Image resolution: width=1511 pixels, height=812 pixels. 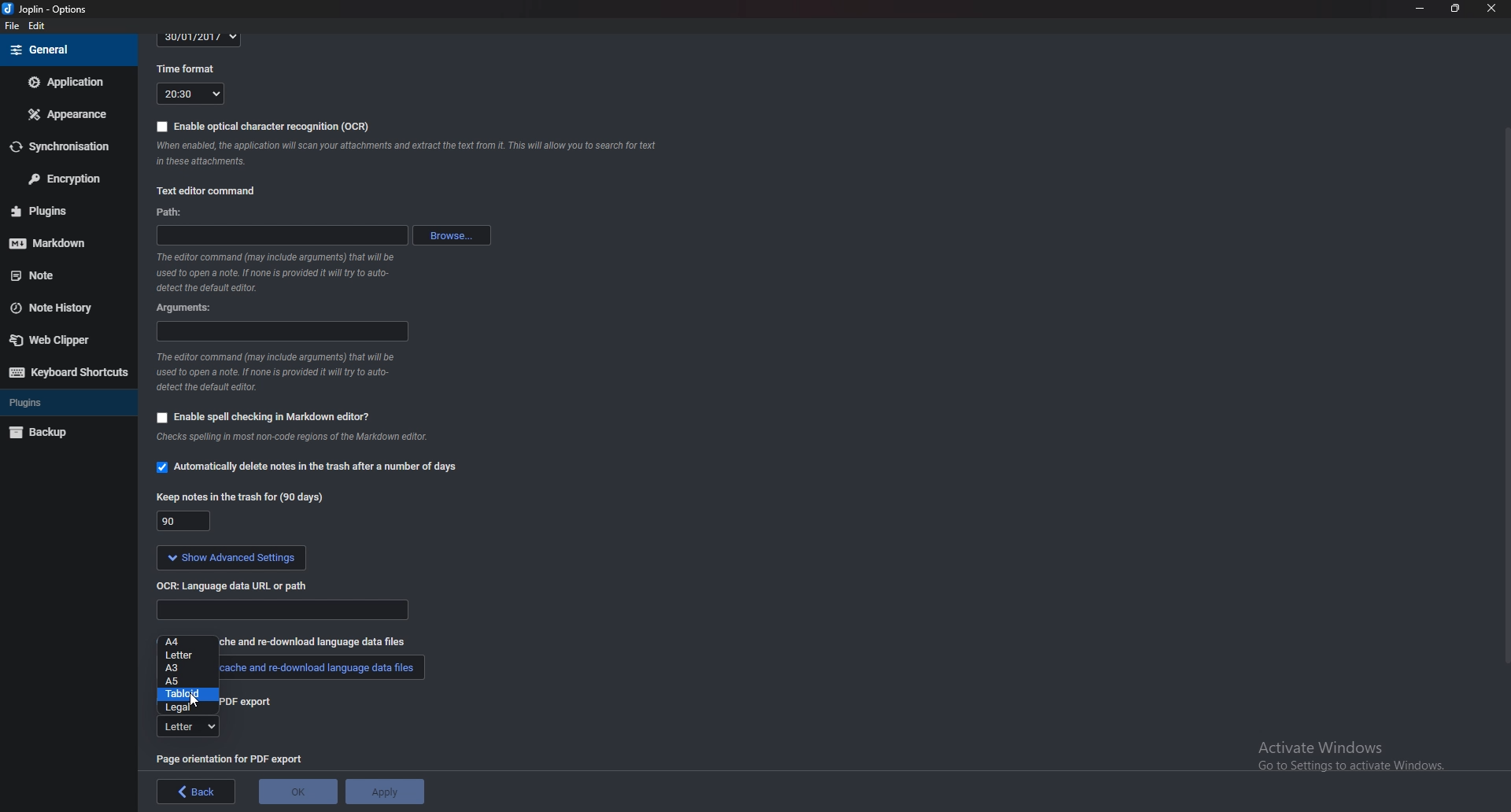 What do you see at coordinates (200, 39) in the screenshot?
I see `30/01/2017` at bounding box center [200, 39].